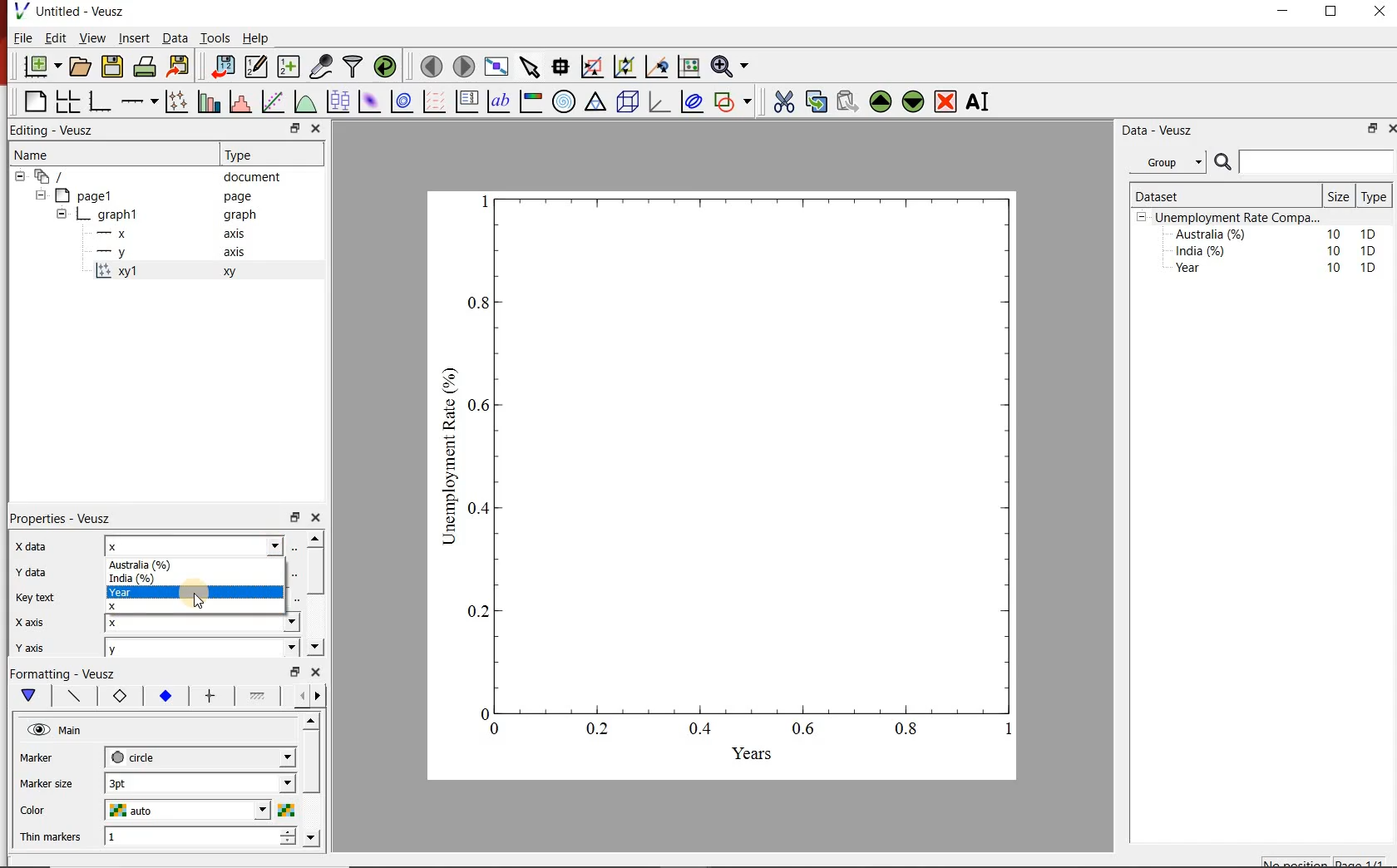  Describe the element at coordinates (562, 66) in the screenshot. I see `read the data points` at that location.